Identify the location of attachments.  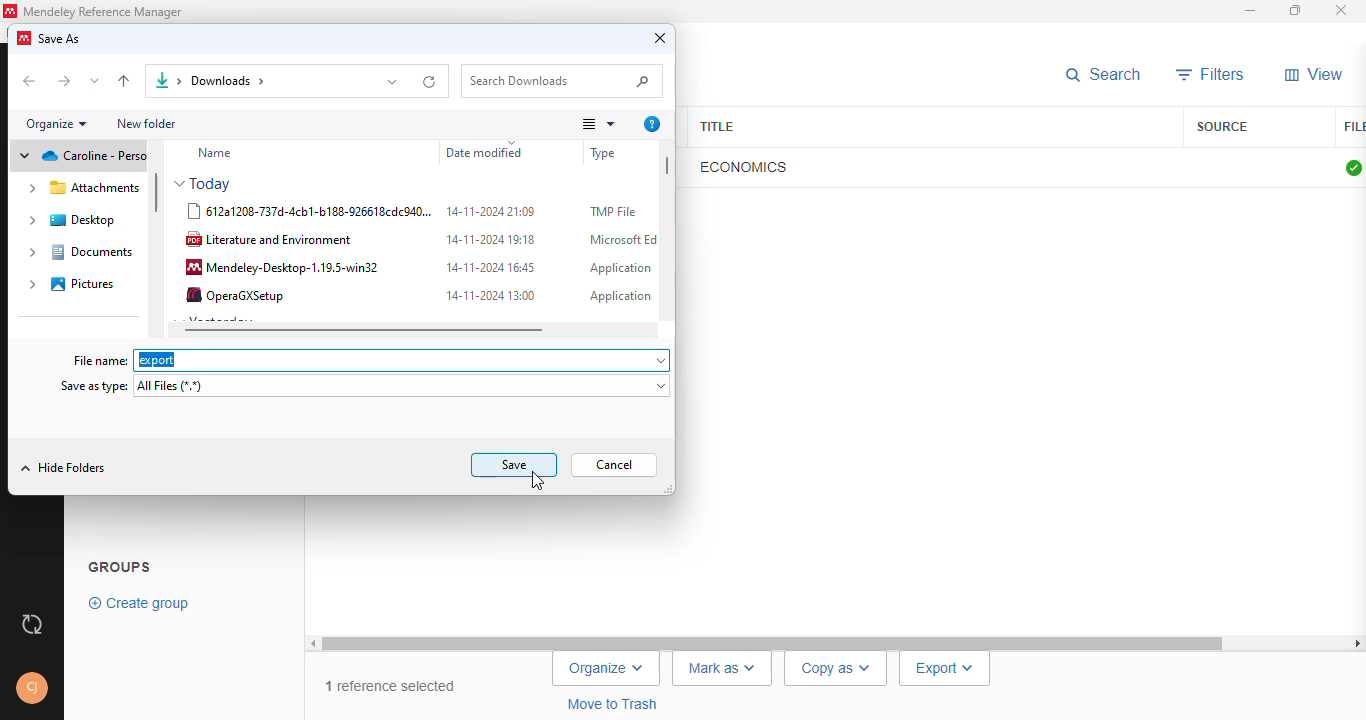
(83, 188).